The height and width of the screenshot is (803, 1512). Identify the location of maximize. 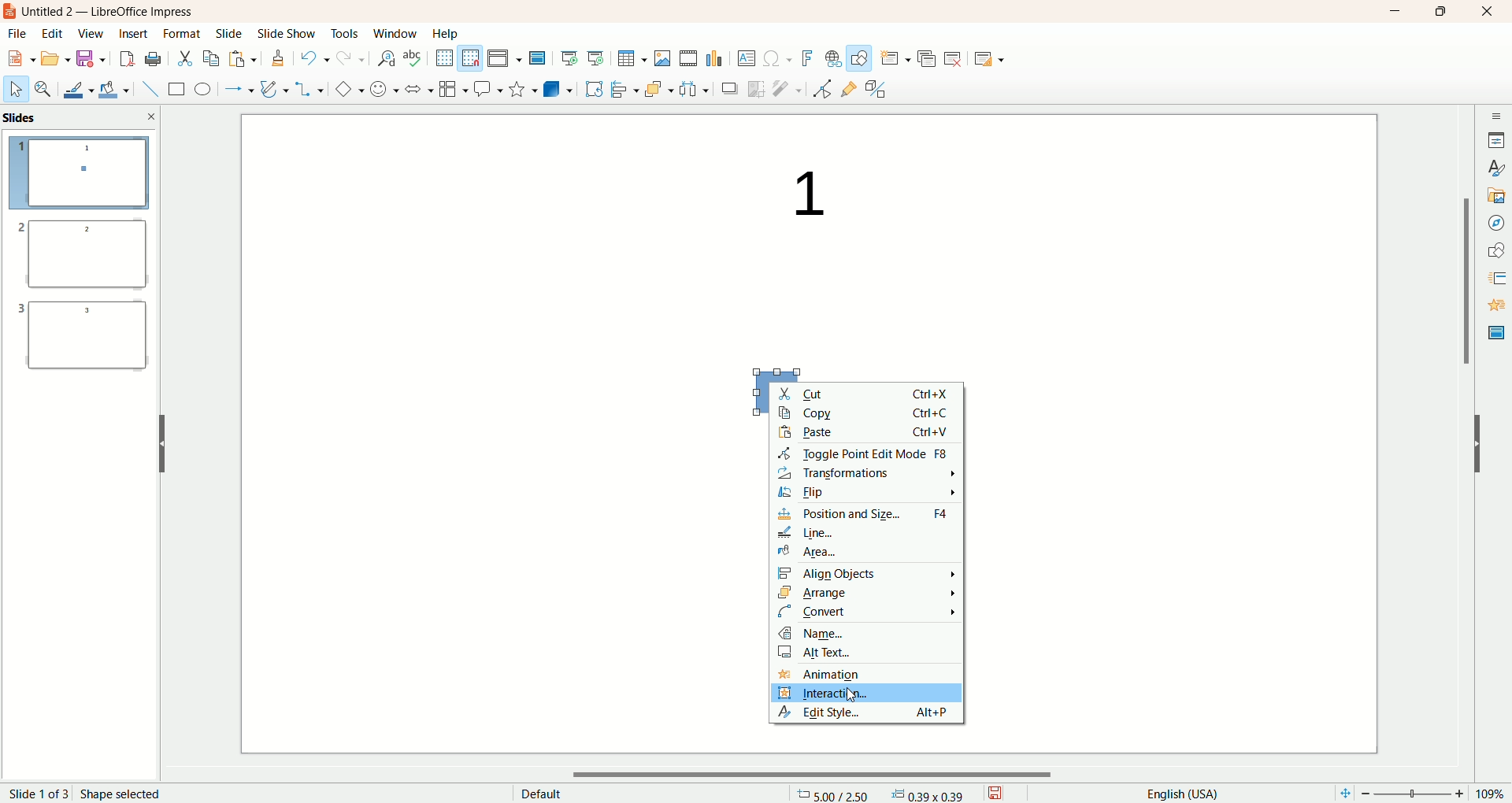
(1440, 13).